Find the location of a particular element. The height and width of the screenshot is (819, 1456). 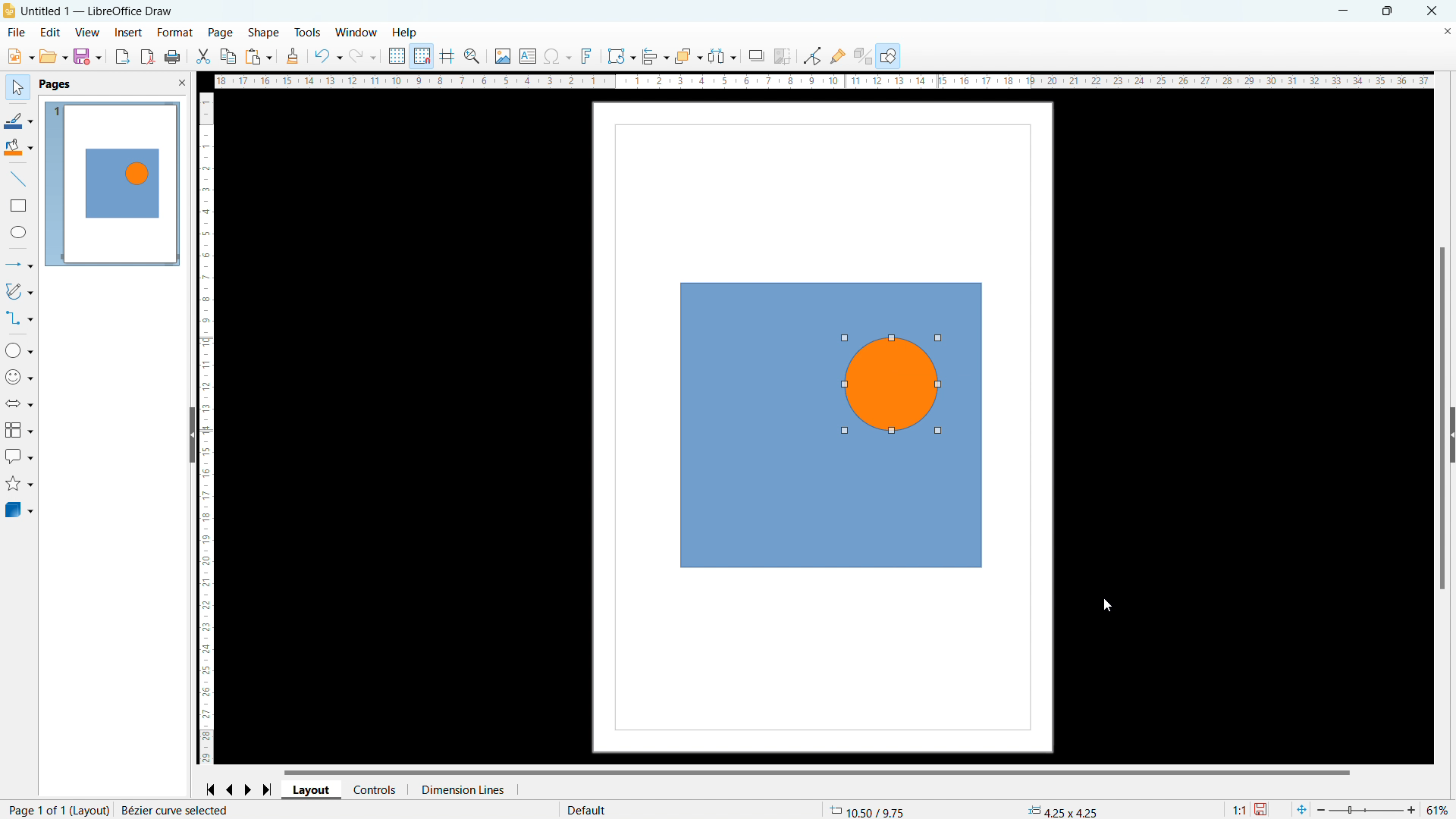

ellipse tool is located at coordinates (20, 233).